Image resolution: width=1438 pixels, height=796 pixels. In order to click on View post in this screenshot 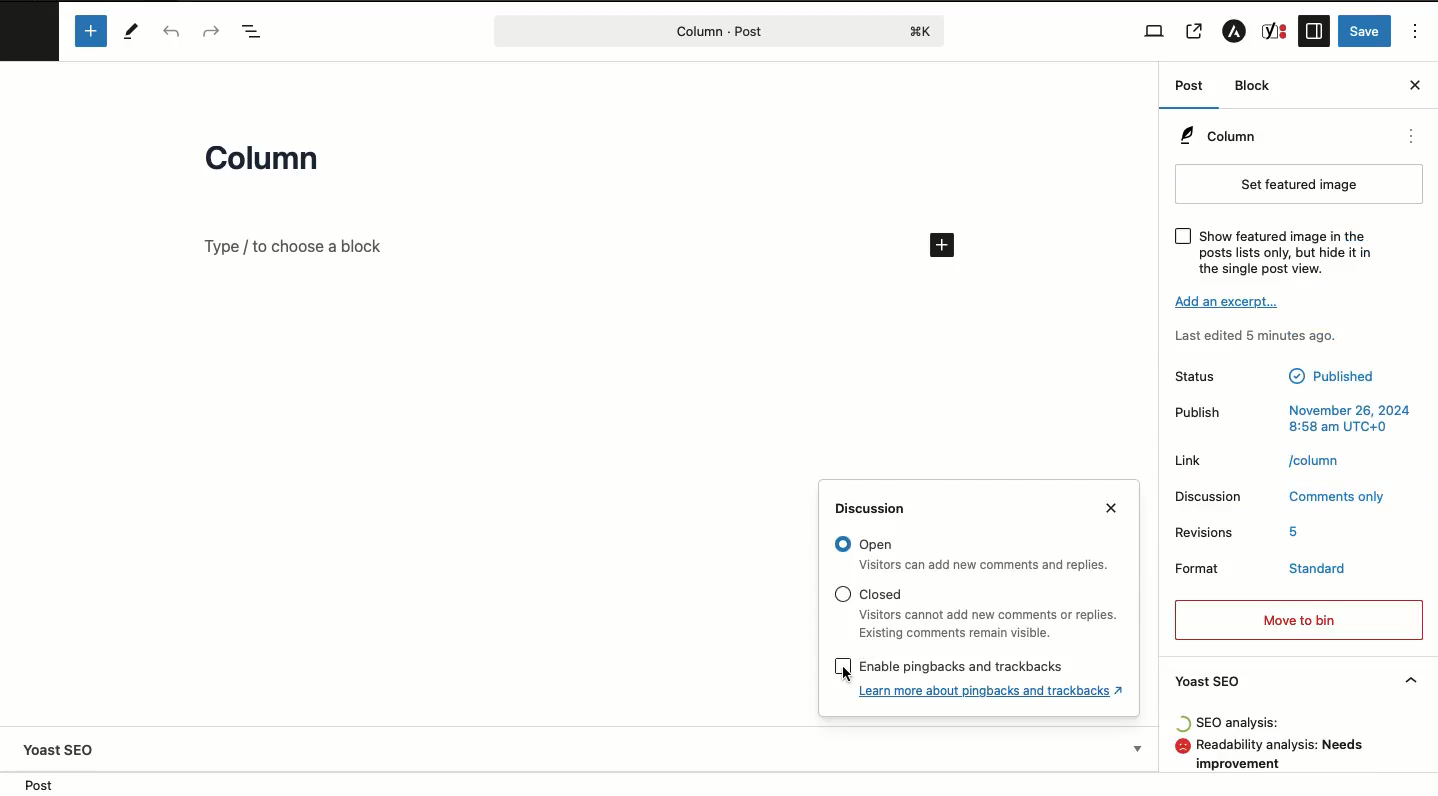, I will do `click(1195, 31)`.